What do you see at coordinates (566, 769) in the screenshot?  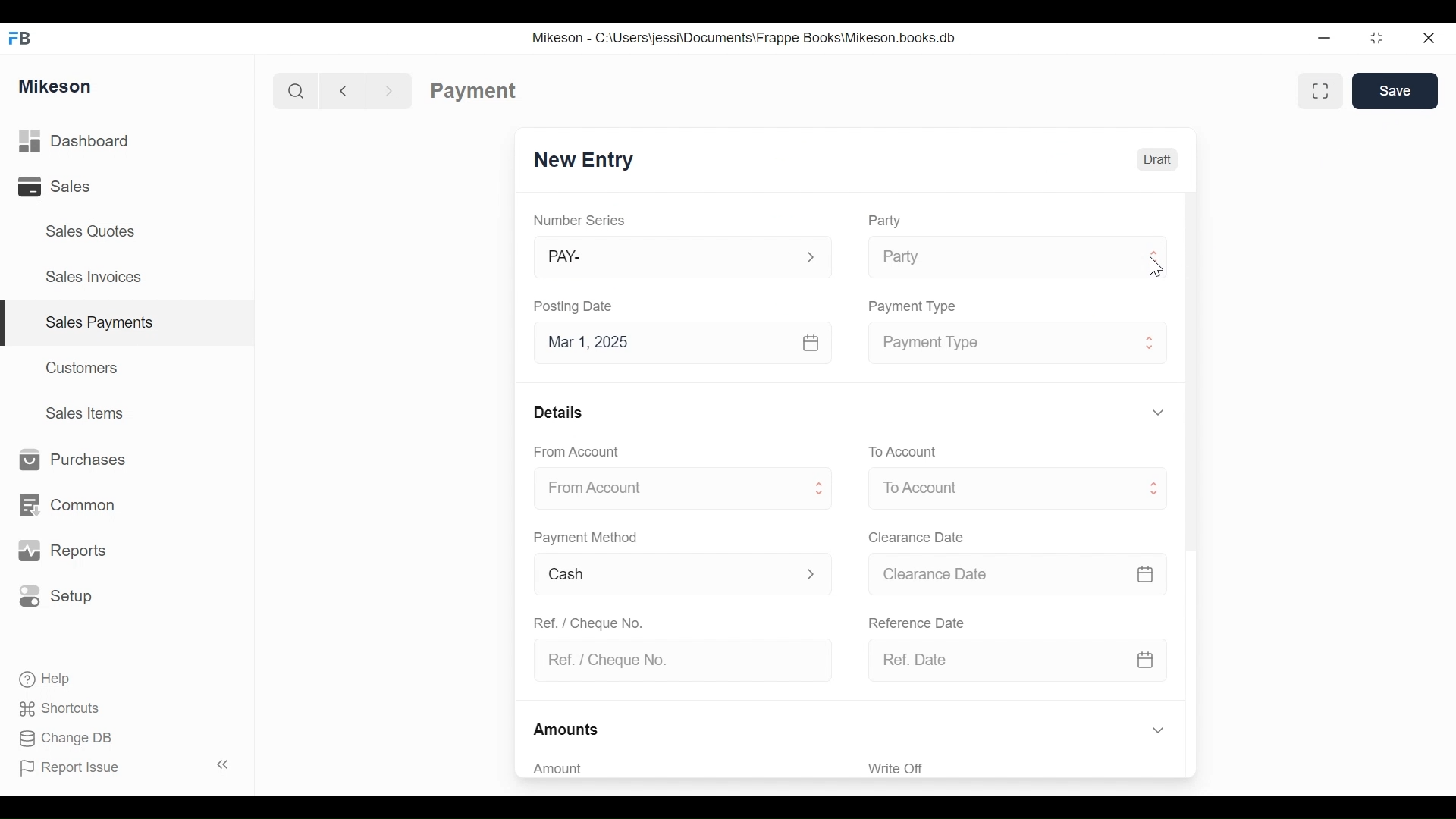 I see `Amount` at bounding box center [566, 769].